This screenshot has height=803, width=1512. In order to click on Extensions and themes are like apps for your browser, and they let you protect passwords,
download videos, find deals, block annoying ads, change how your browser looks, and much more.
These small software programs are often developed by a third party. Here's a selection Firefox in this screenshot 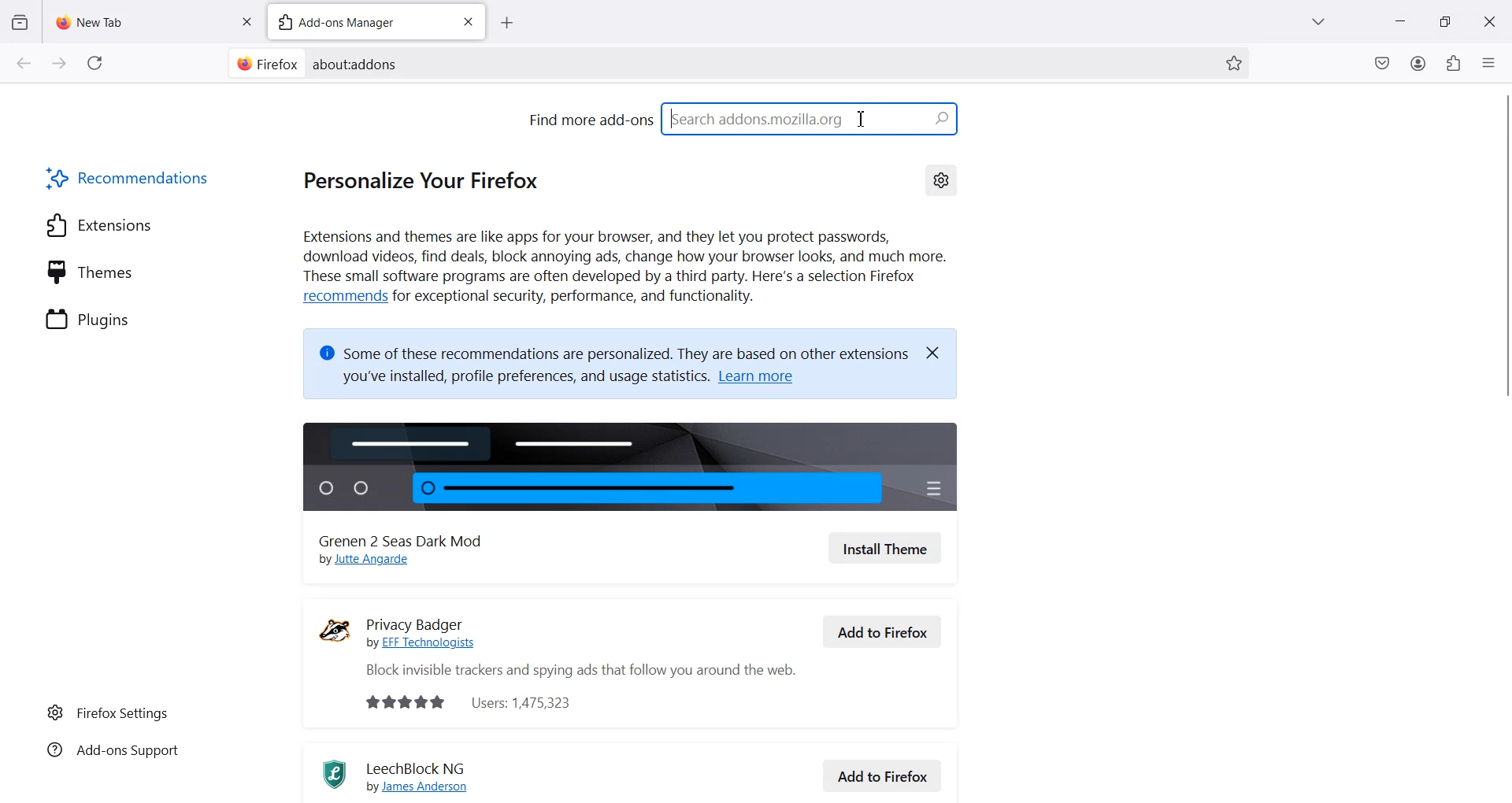, I will do `click(624, 257)`.